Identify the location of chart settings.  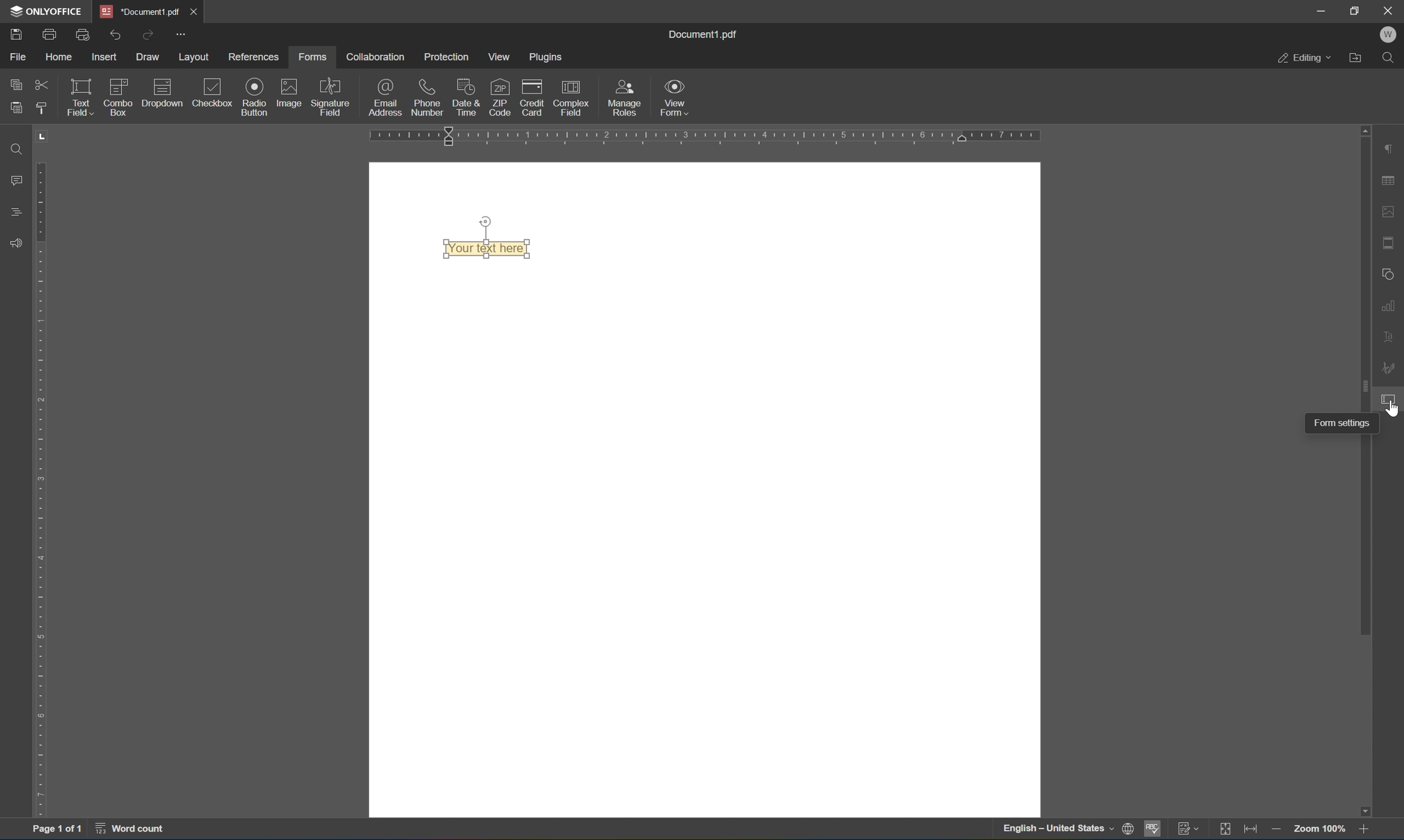
(1392, 306).